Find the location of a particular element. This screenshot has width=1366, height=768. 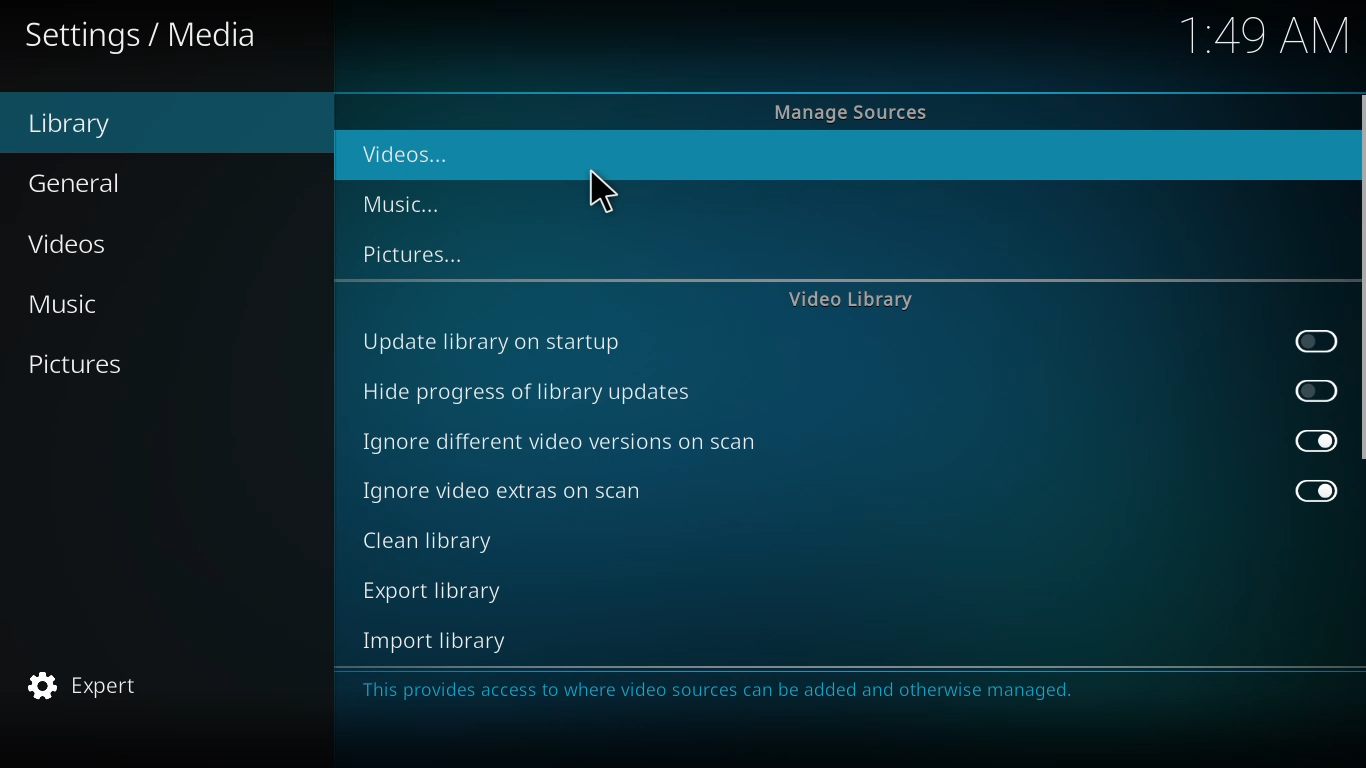

export library is located at coordinates (431, 591).